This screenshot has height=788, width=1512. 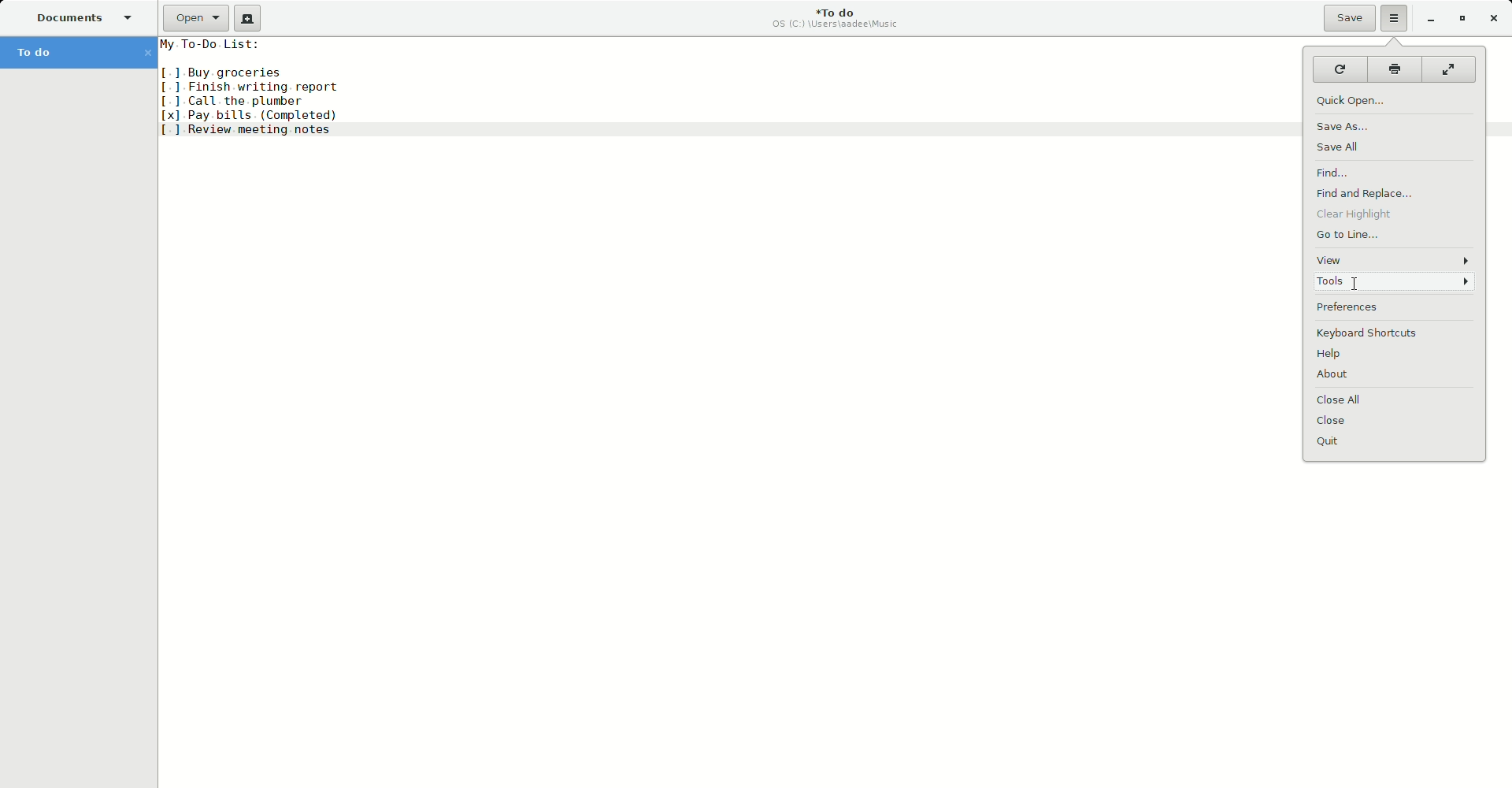 What do you see at coordinates (257, 90) in the screenshot?
I see `To do list` at bounding box center [257, 90].